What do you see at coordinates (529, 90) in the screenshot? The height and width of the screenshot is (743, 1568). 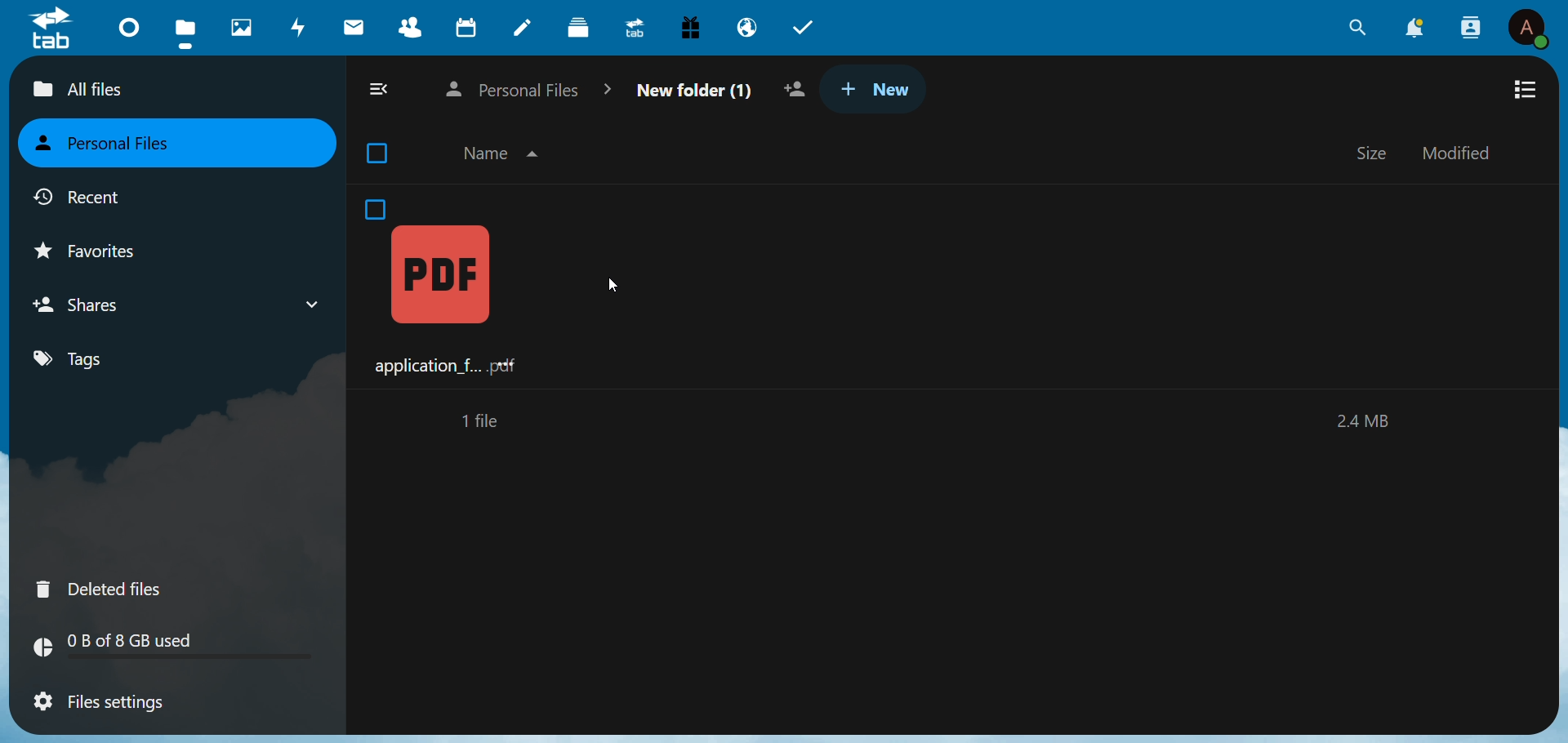 I see `personal files` at bounding box center [529, 90].